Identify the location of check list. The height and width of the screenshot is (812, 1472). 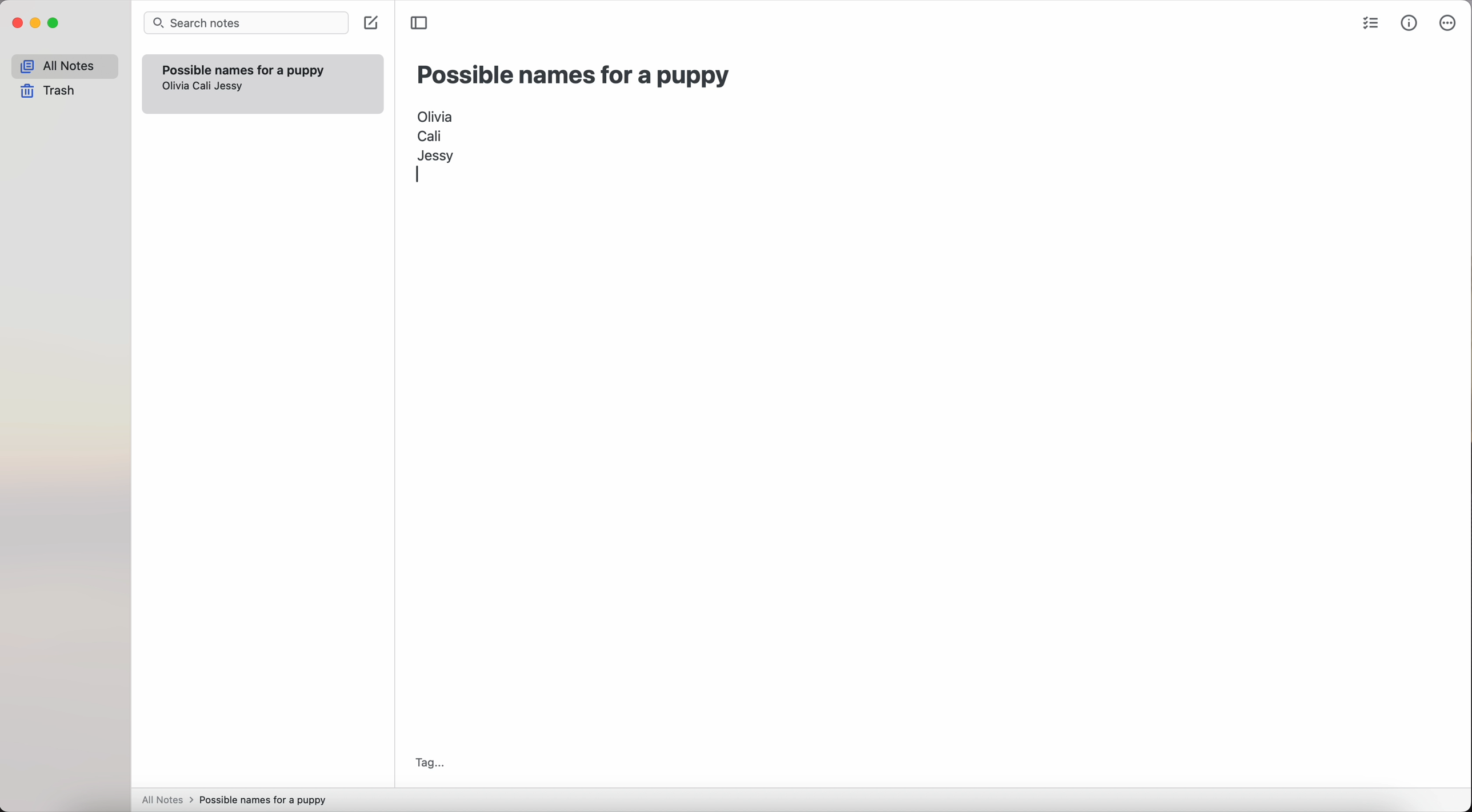
(1370, 25).